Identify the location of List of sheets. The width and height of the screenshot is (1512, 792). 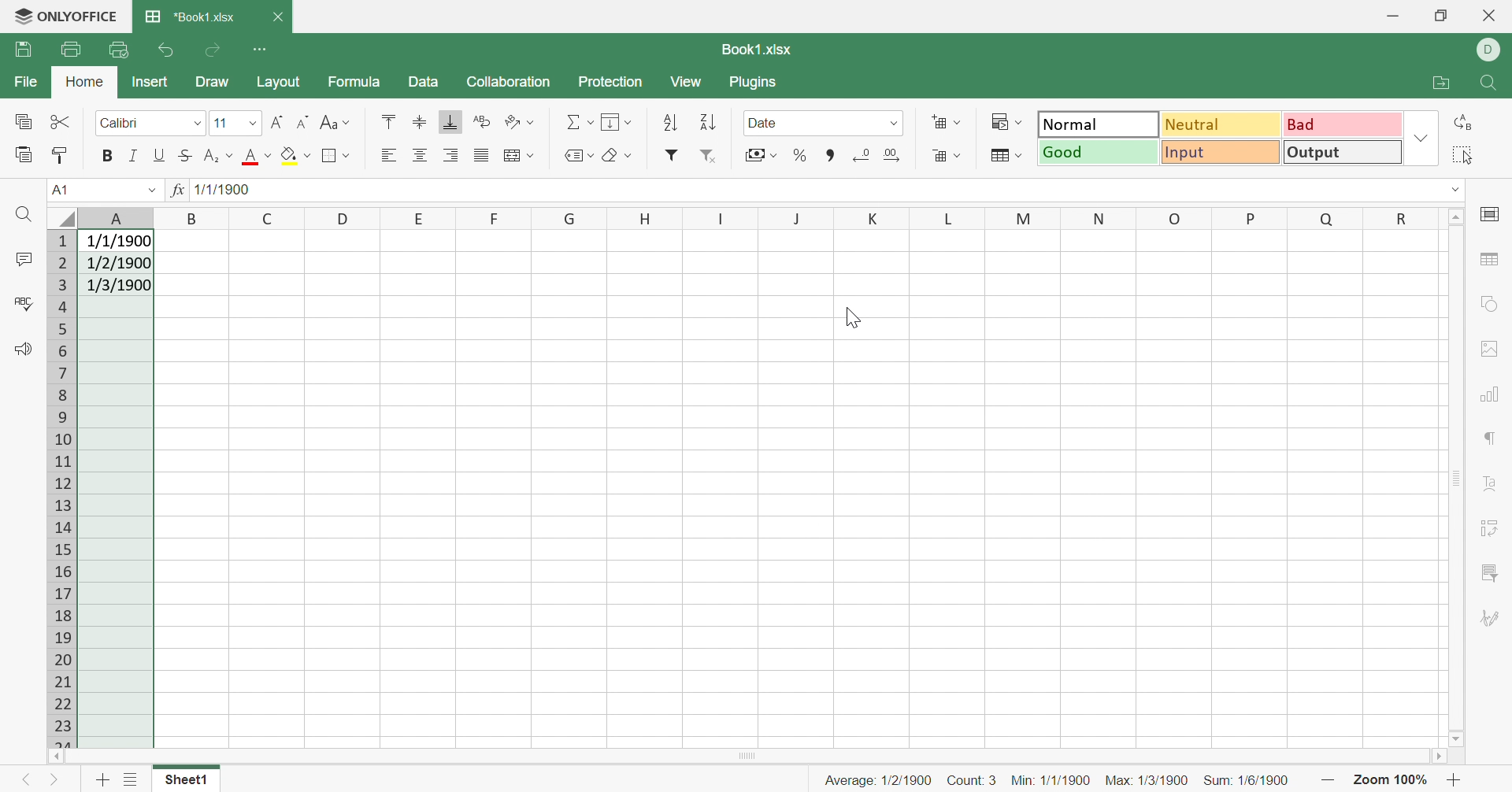
(130, 781).